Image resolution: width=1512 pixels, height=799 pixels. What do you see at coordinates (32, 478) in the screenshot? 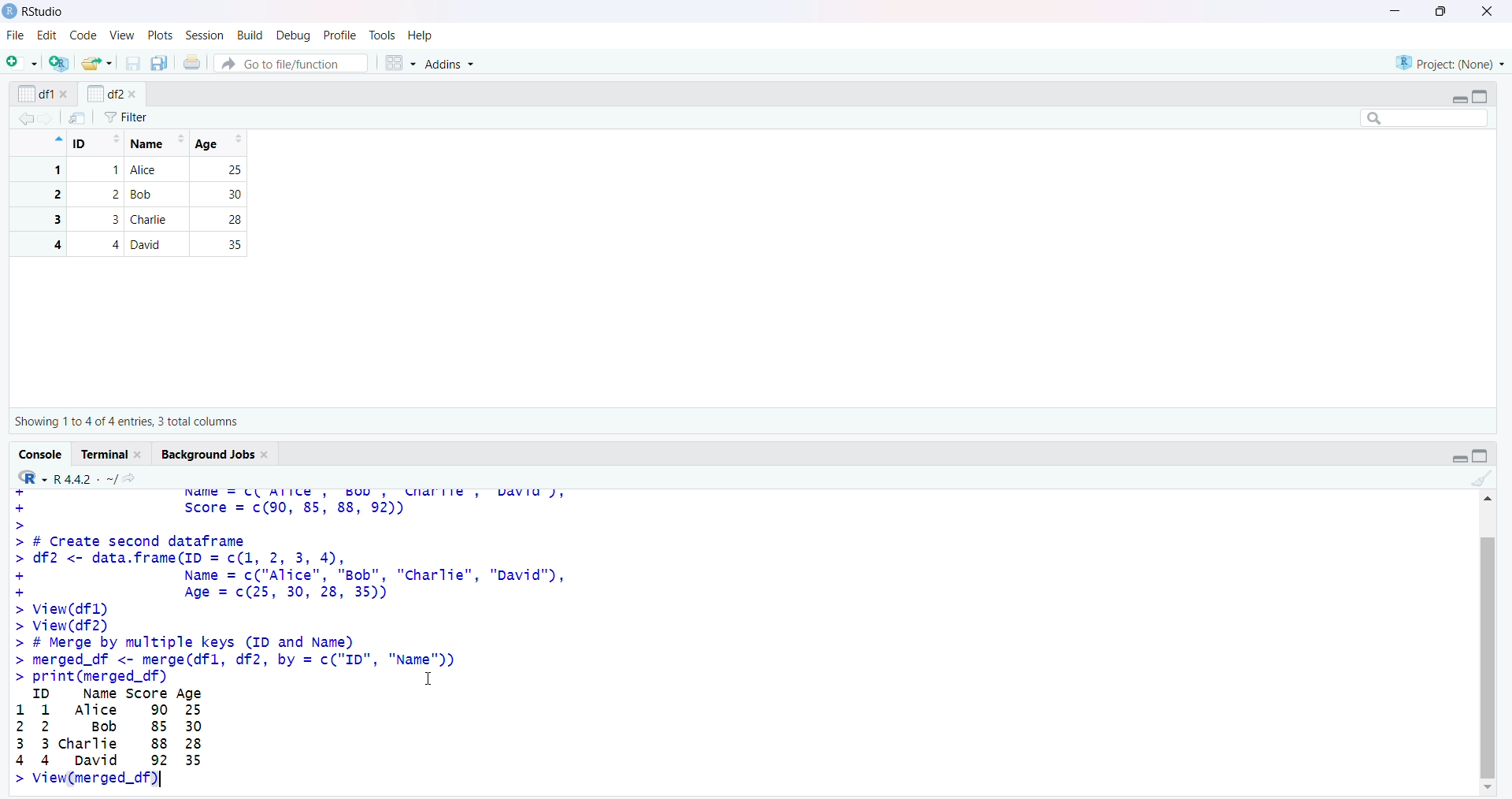
I see `R` at bounding box center [32, 478].